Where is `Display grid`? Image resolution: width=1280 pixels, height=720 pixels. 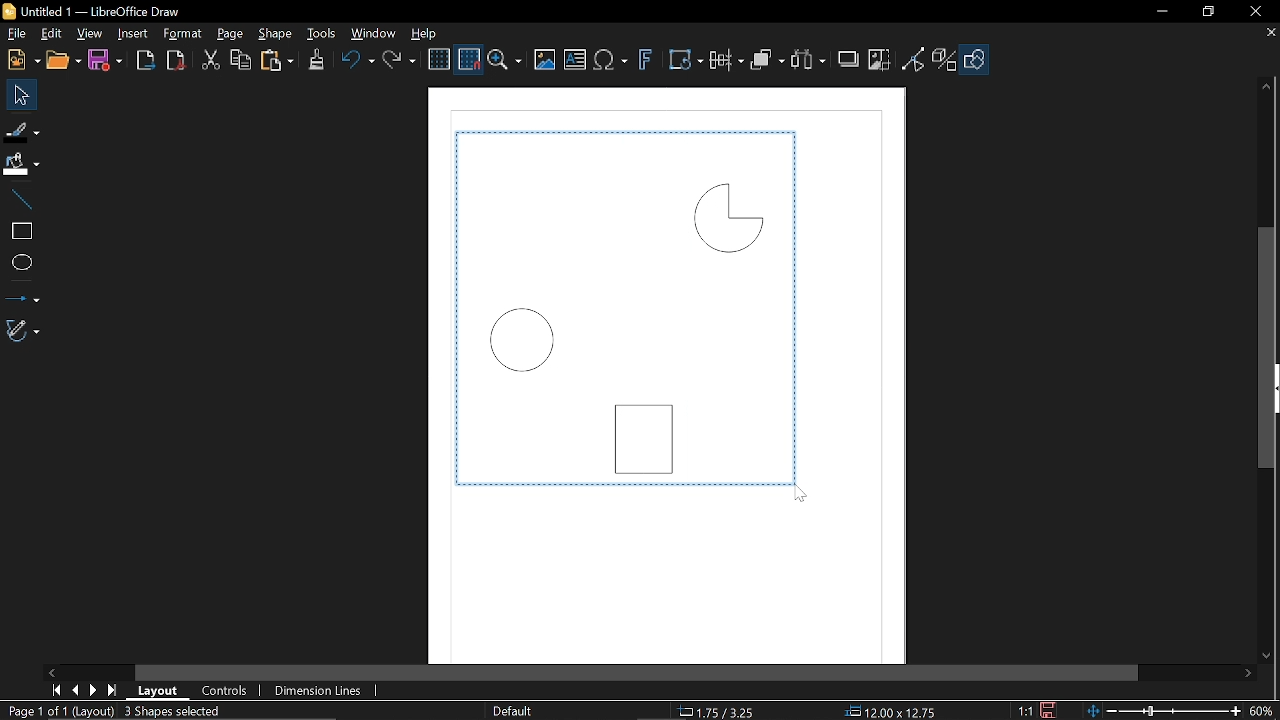 Display grid is located at coordinates (440, 60).